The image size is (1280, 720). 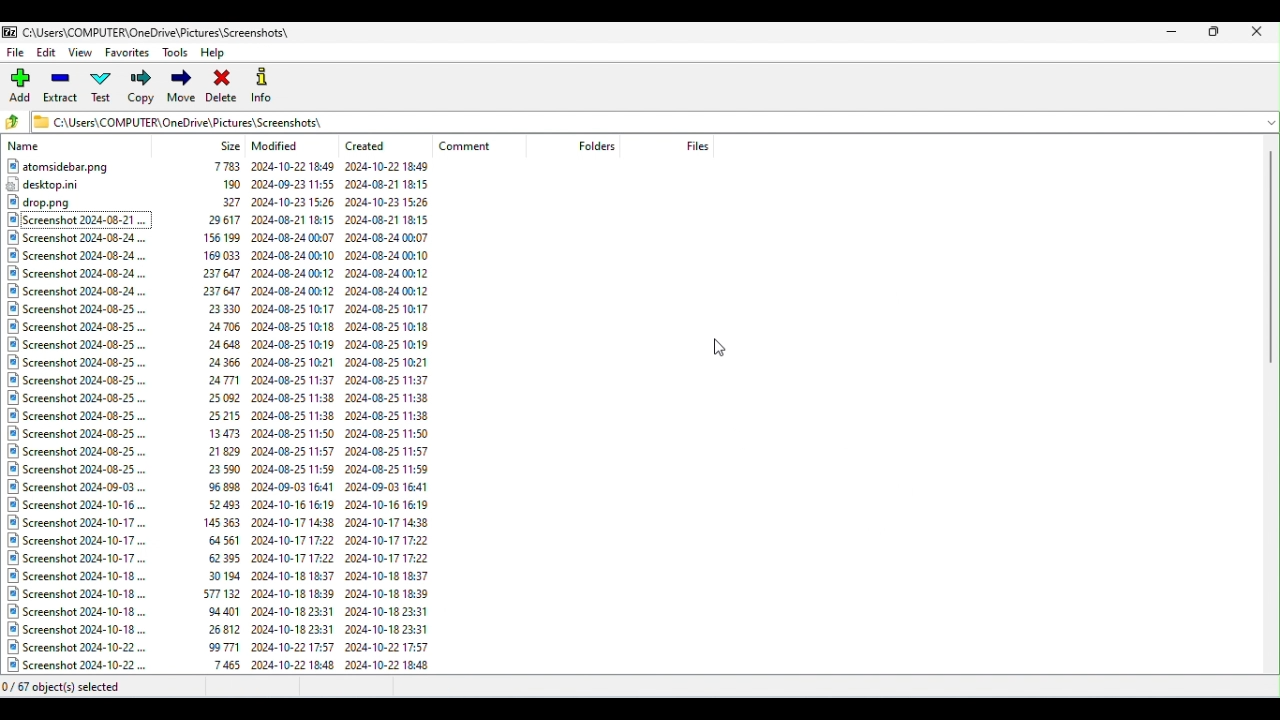 What do you see at coordinates (140, 88) in the screenshot?
I see `Copy` at bounding box center [140, 88].